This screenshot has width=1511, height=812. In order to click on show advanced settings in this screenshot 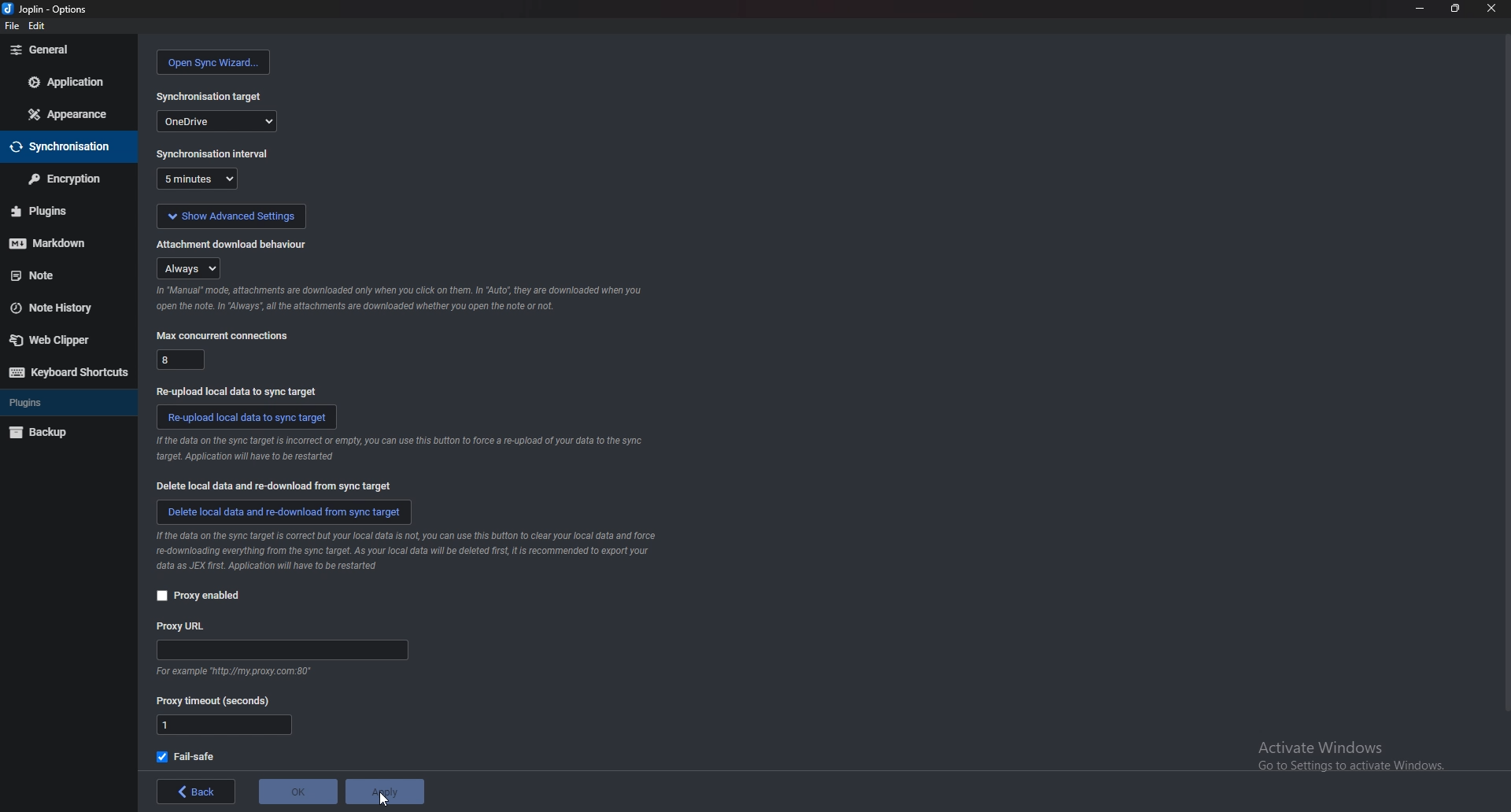, I will do `click(231, 216)`.